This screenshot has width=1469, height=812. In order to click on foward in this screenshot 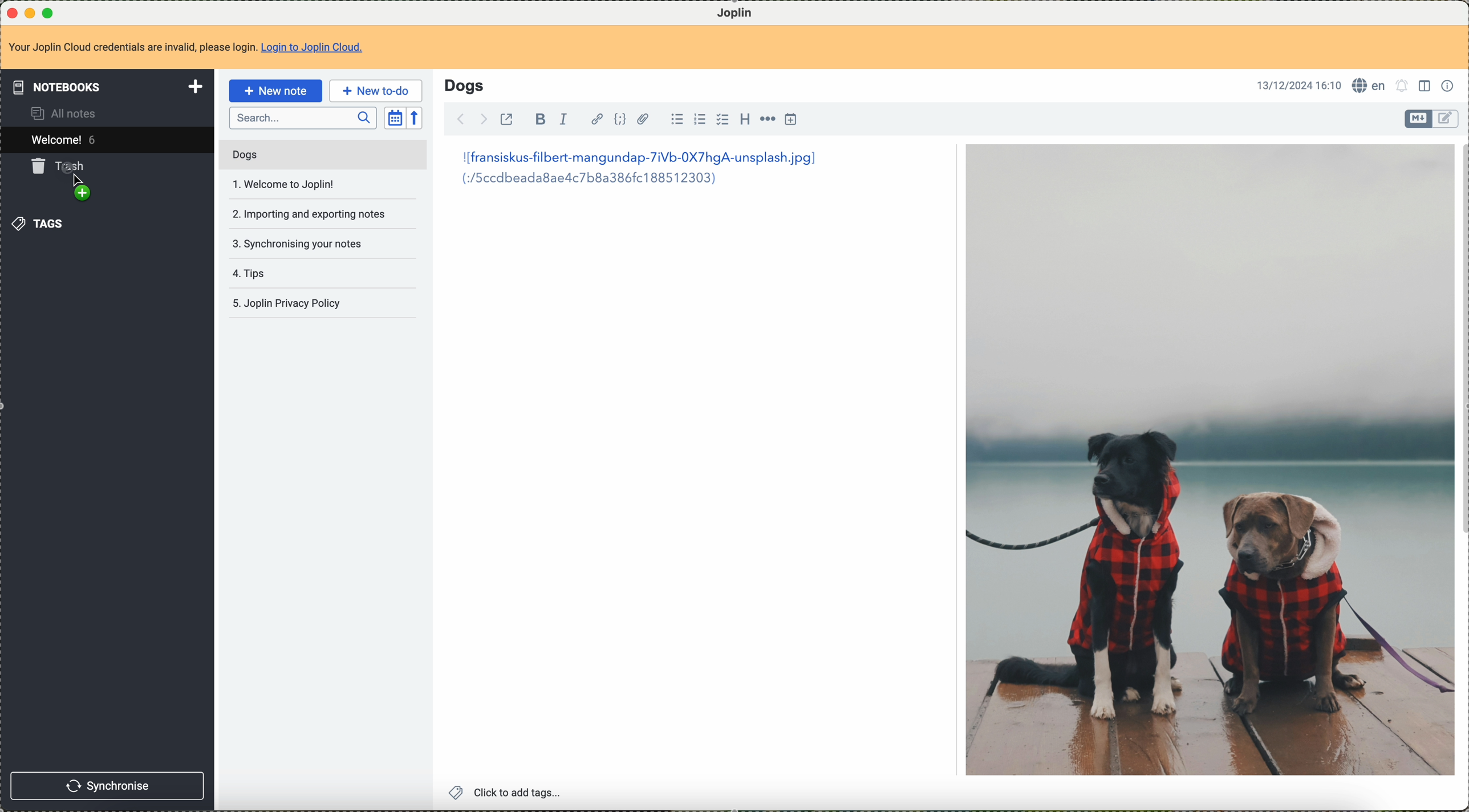, I will do `click(486, 118)`.